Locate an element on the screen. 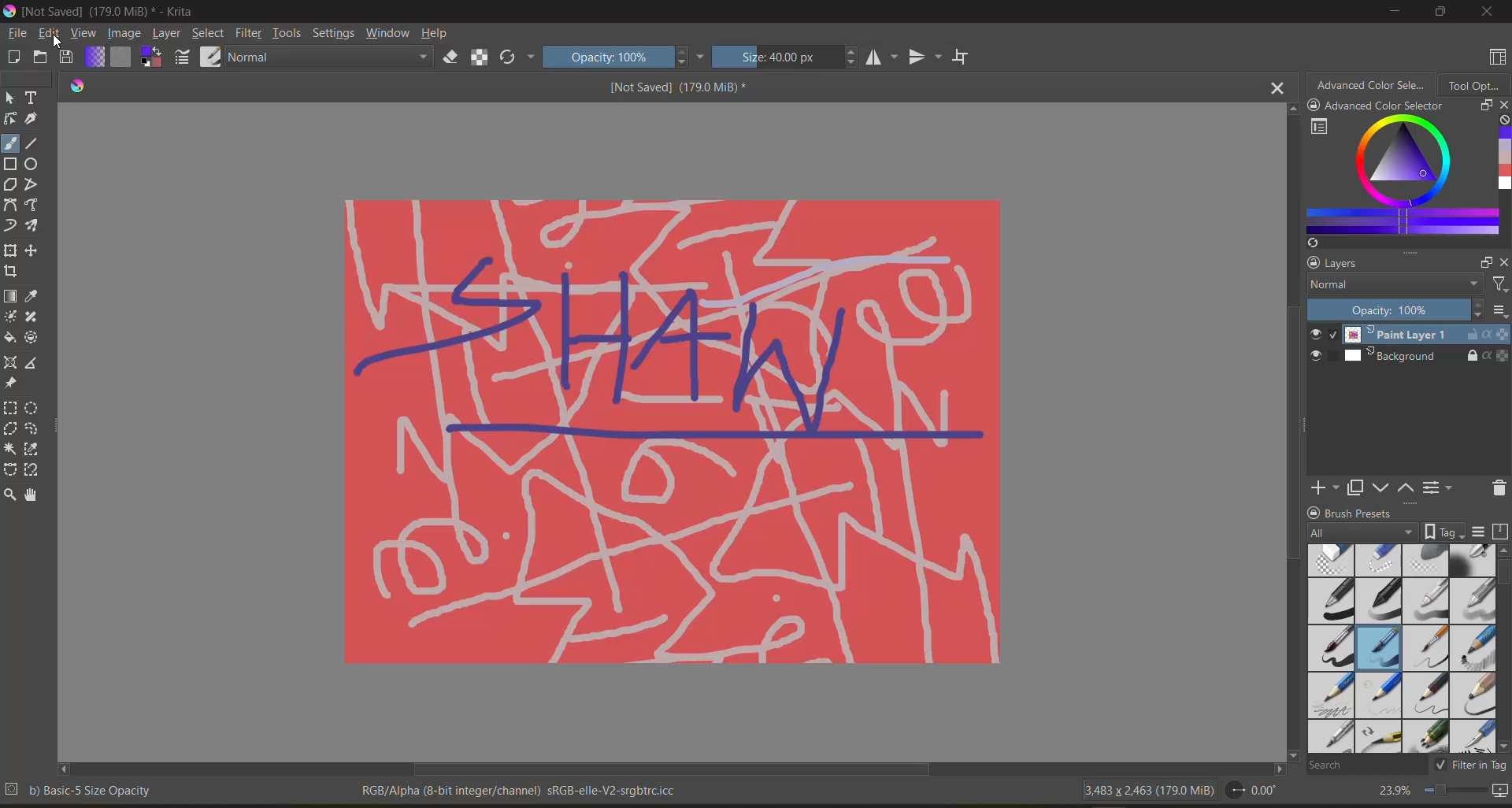 The image size is (1512, 808). layers is located at coordinates (1354, 263).